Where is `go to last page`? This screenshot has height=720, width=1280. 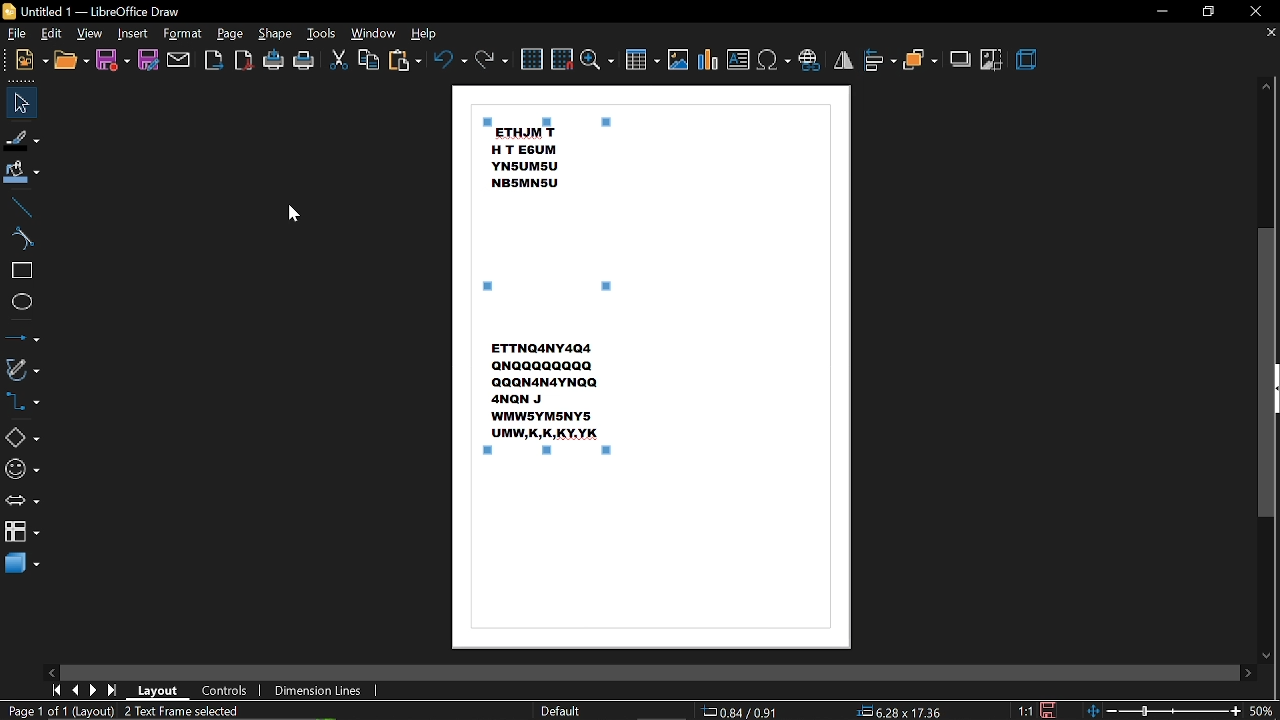
go to last page is located at coordinates (115, 690).